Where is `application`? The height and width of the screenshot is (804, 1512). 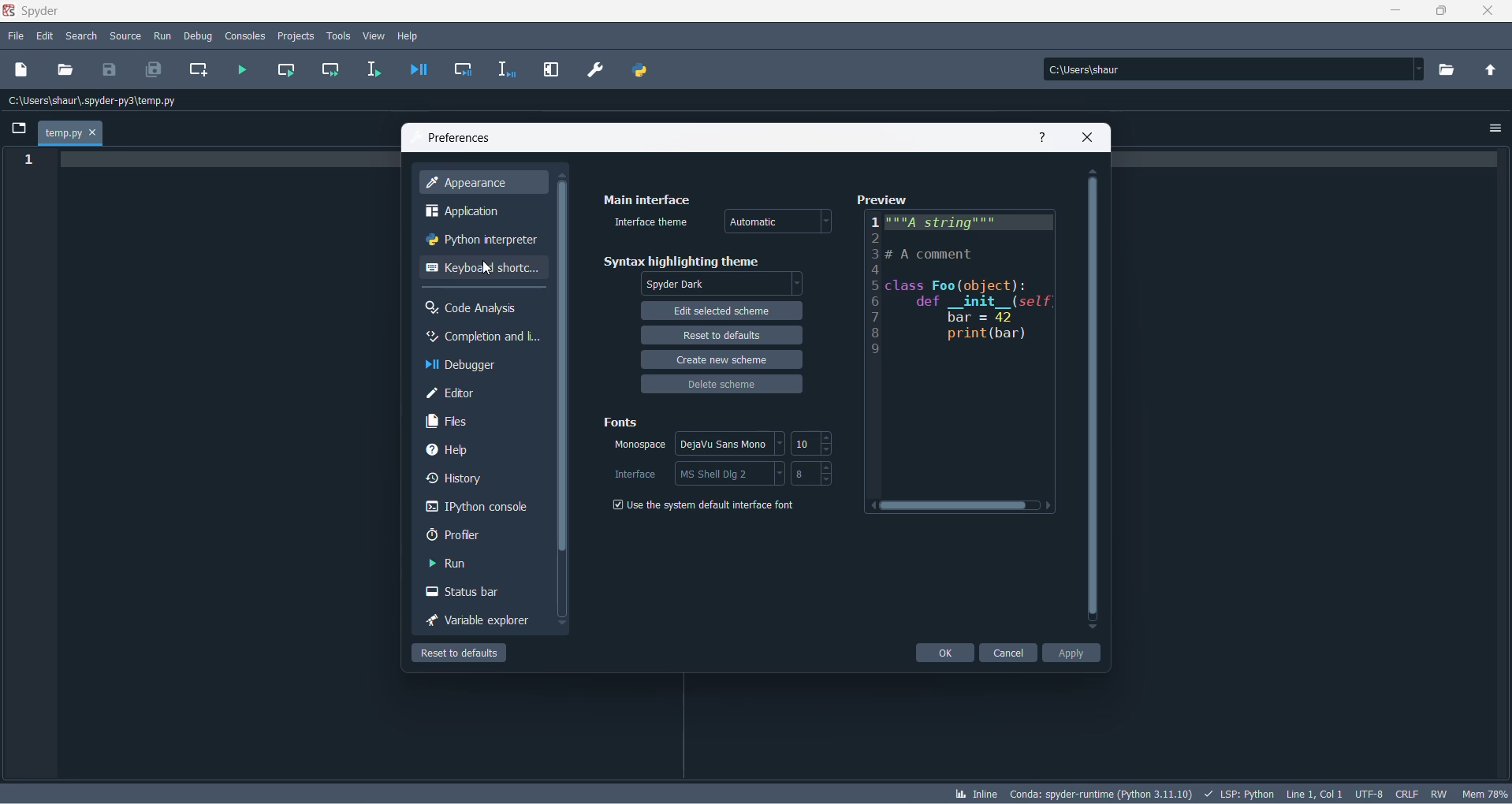 application is located at coordinates (481, 213).